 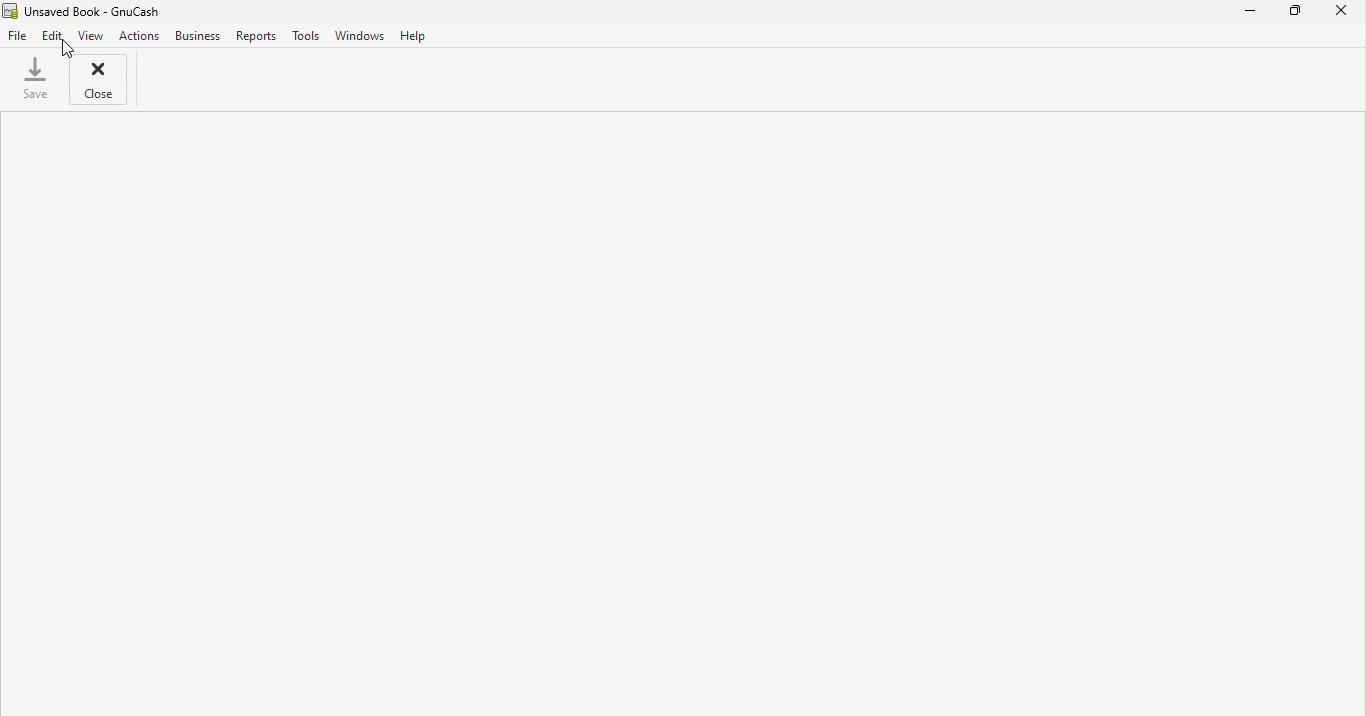 I want to click on Tools, so click(x=305, y=36).